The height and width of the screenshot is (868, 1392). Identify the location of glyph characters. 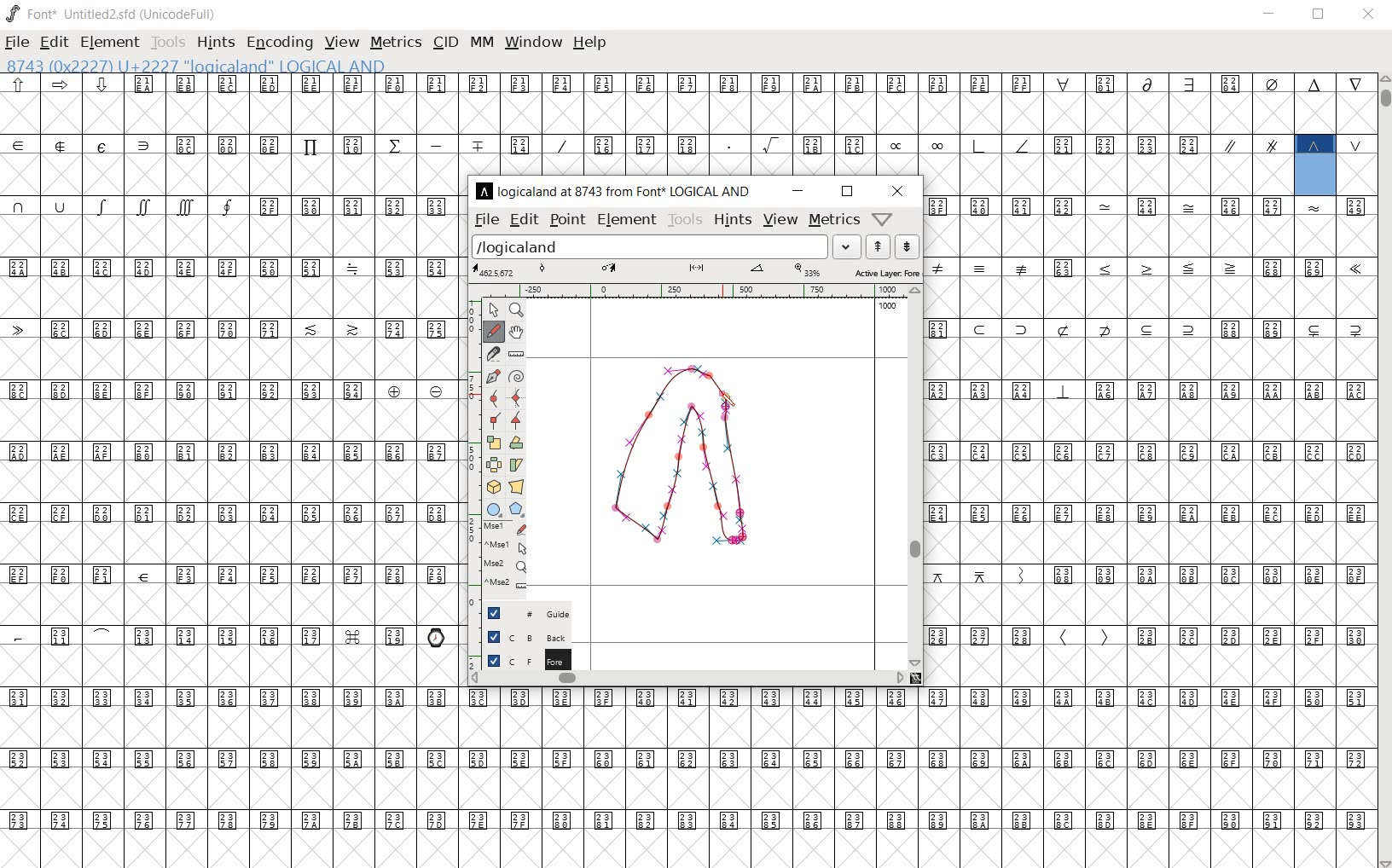
(230, 471).